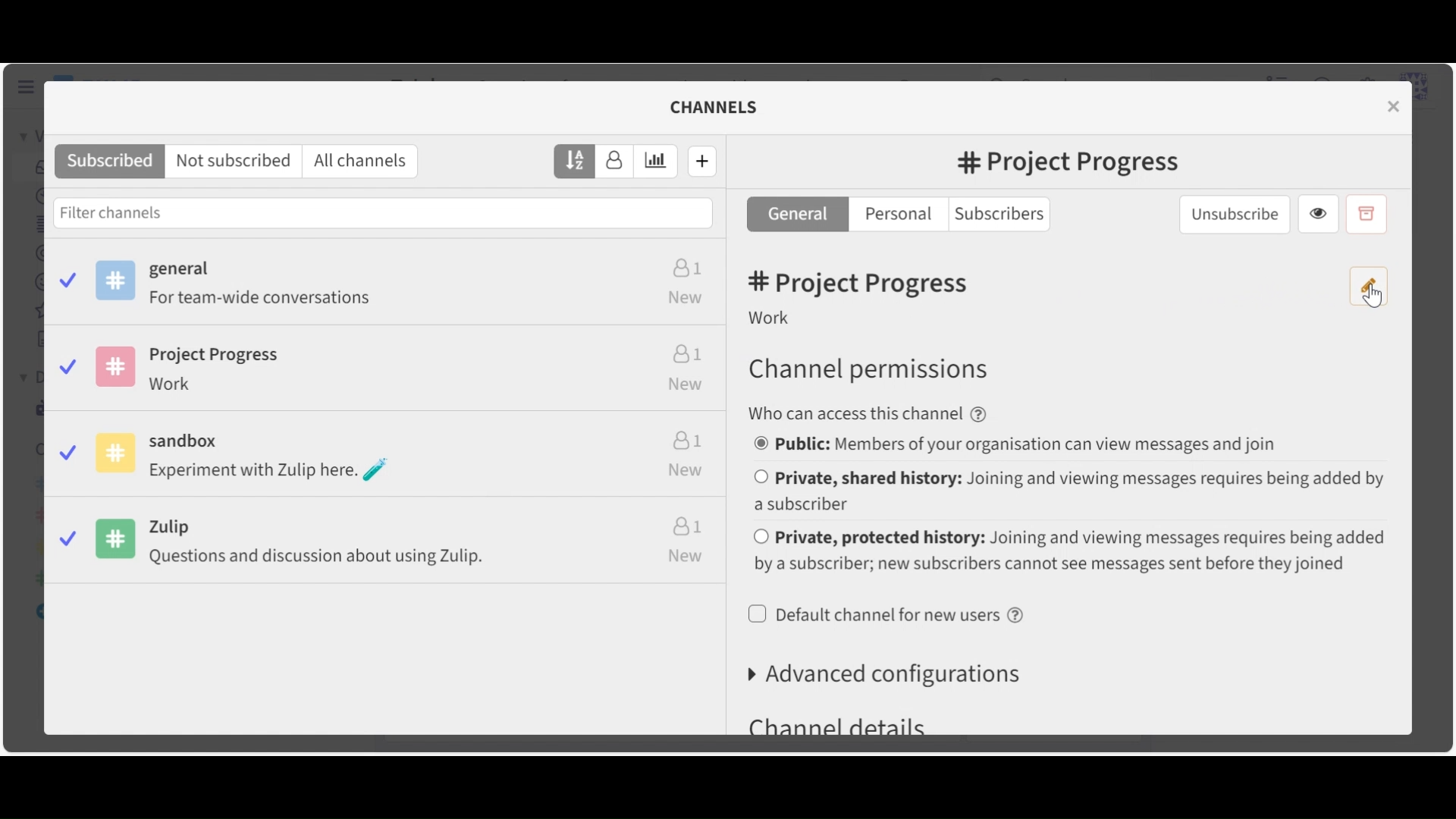 This screenshot has height=819, width=1456. Describe the element at coordinates (997, 215) in the screenshot. I see `Subscribers` at that location.